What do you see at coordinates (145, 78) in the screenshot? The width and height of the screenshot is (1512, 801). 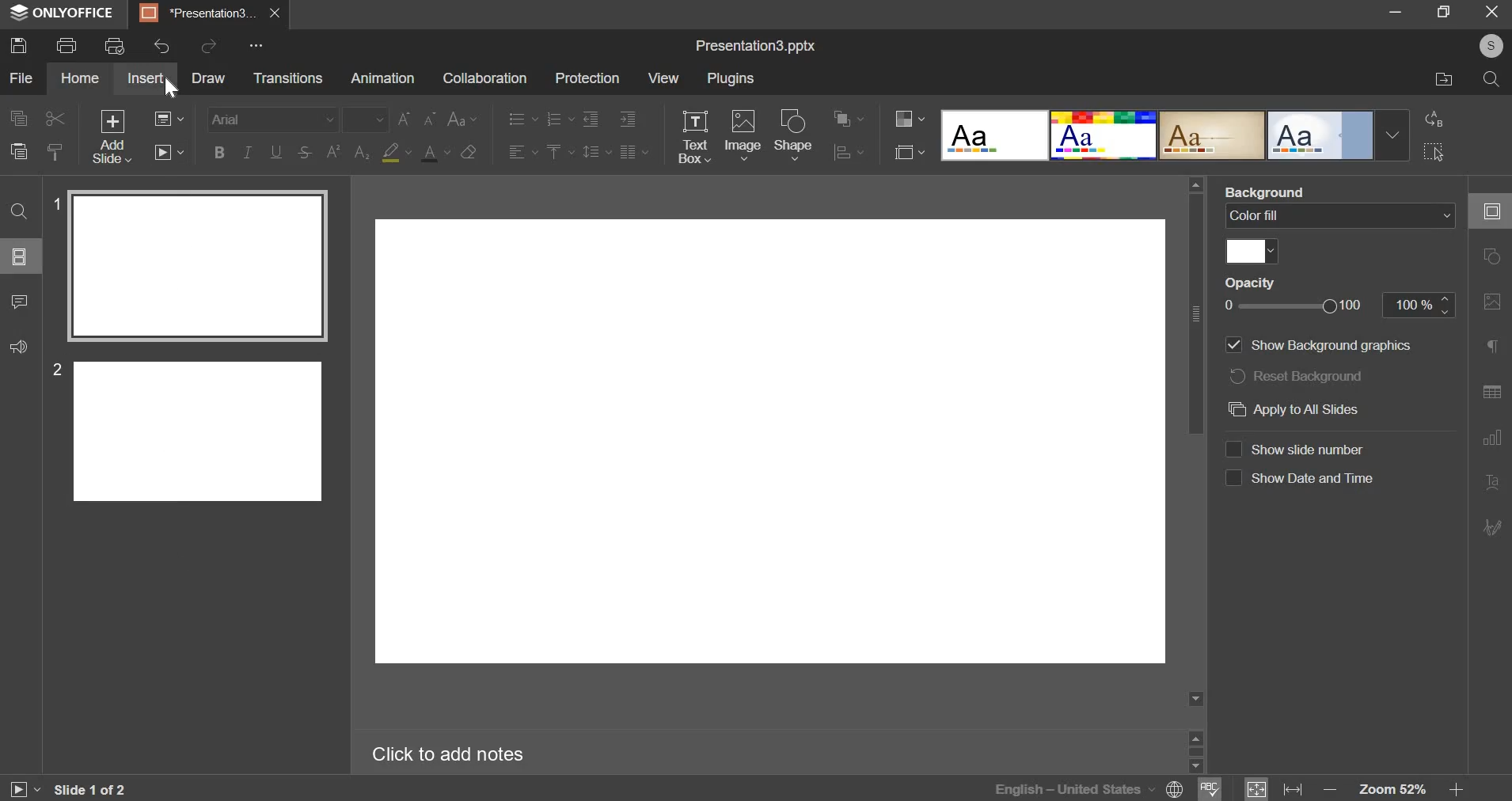 I see `insert` at bounding box center [145, 78].